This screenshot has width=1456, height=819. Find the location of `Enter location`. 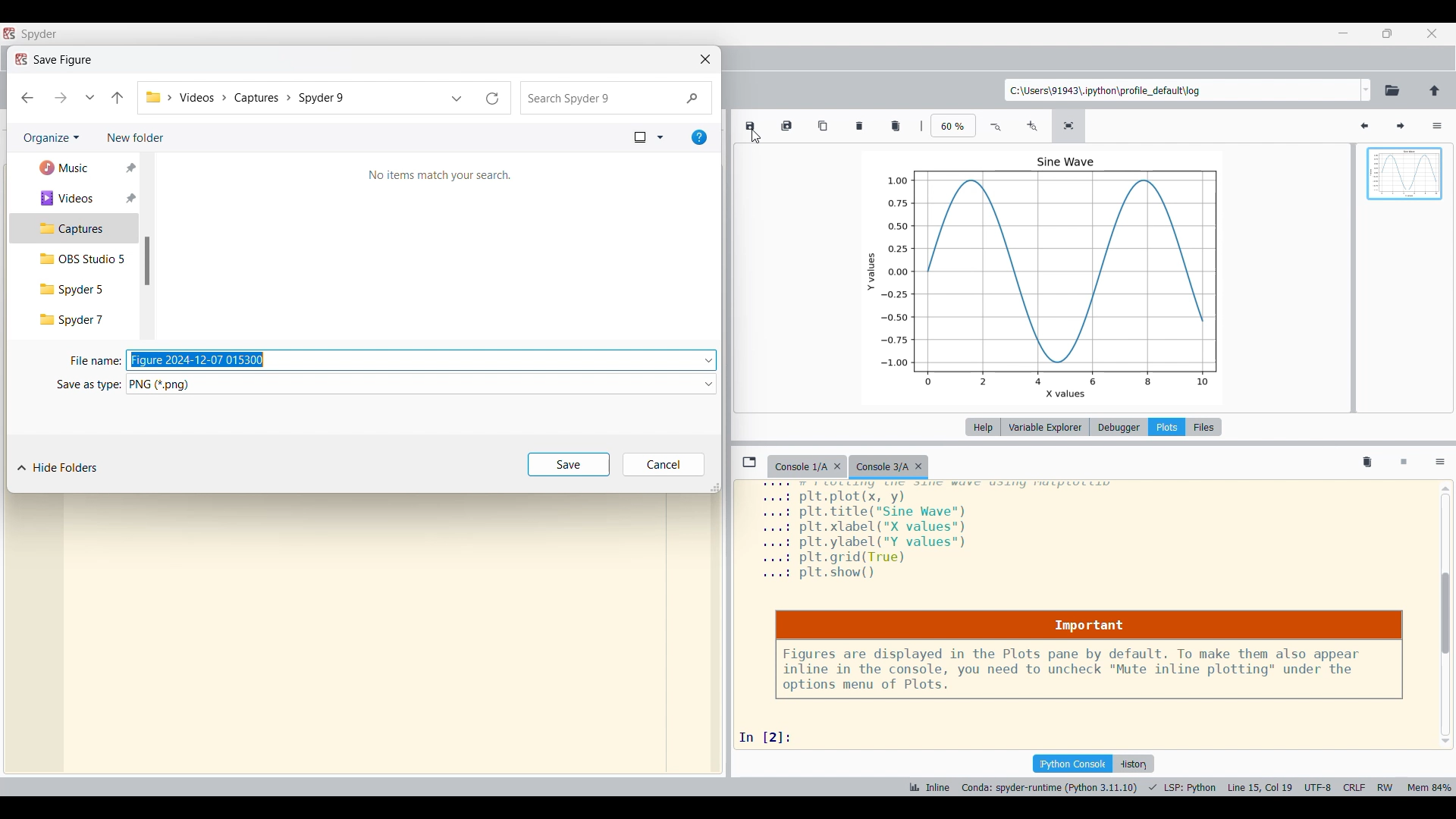

Enter location is located at coordinates (1182, 90).